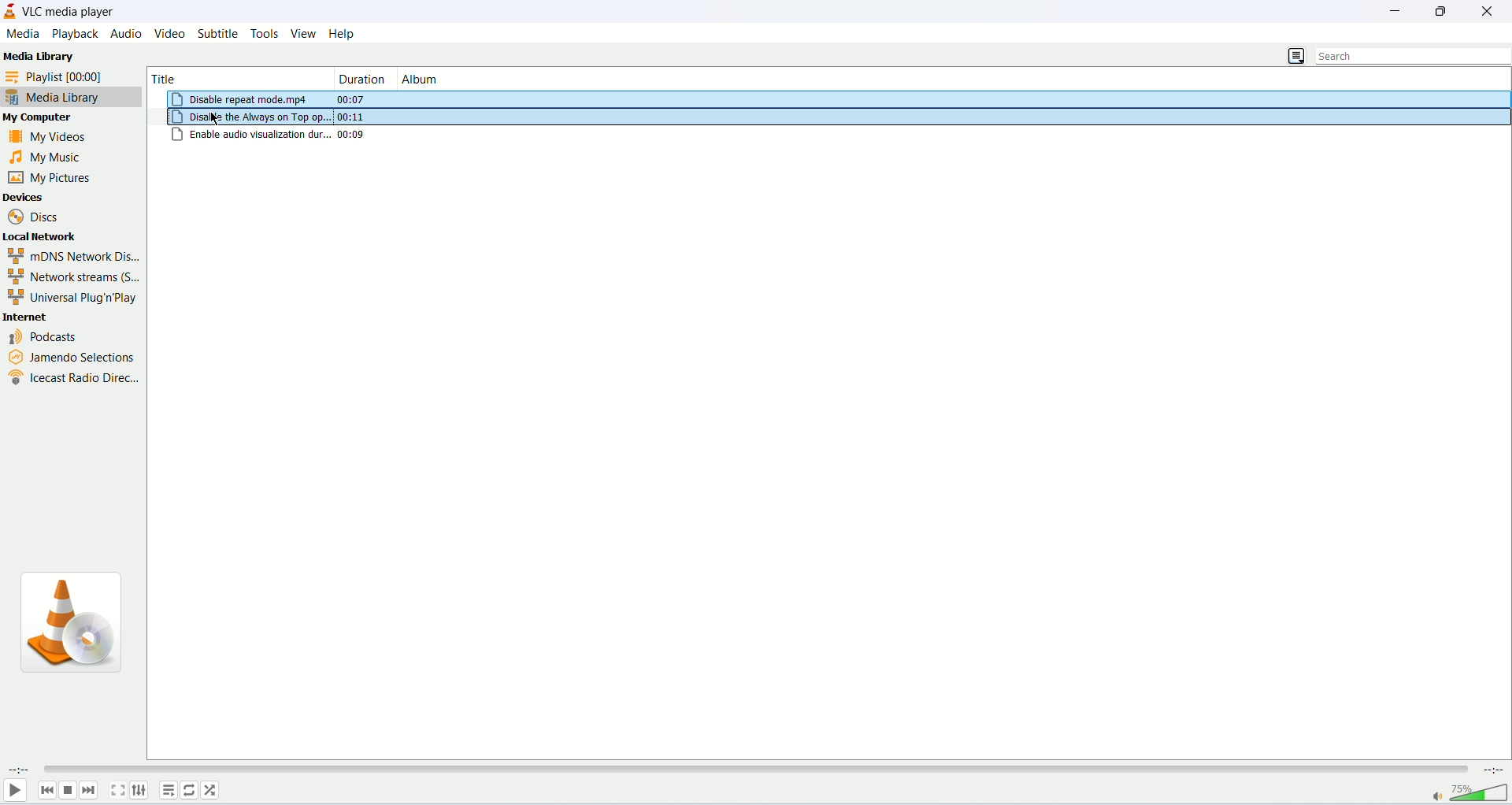 This screenshot has height=805, width=1512. What do you see at coordinates (172, 34) in the screenshot?
I see `video` at bounding box center [172, 34].